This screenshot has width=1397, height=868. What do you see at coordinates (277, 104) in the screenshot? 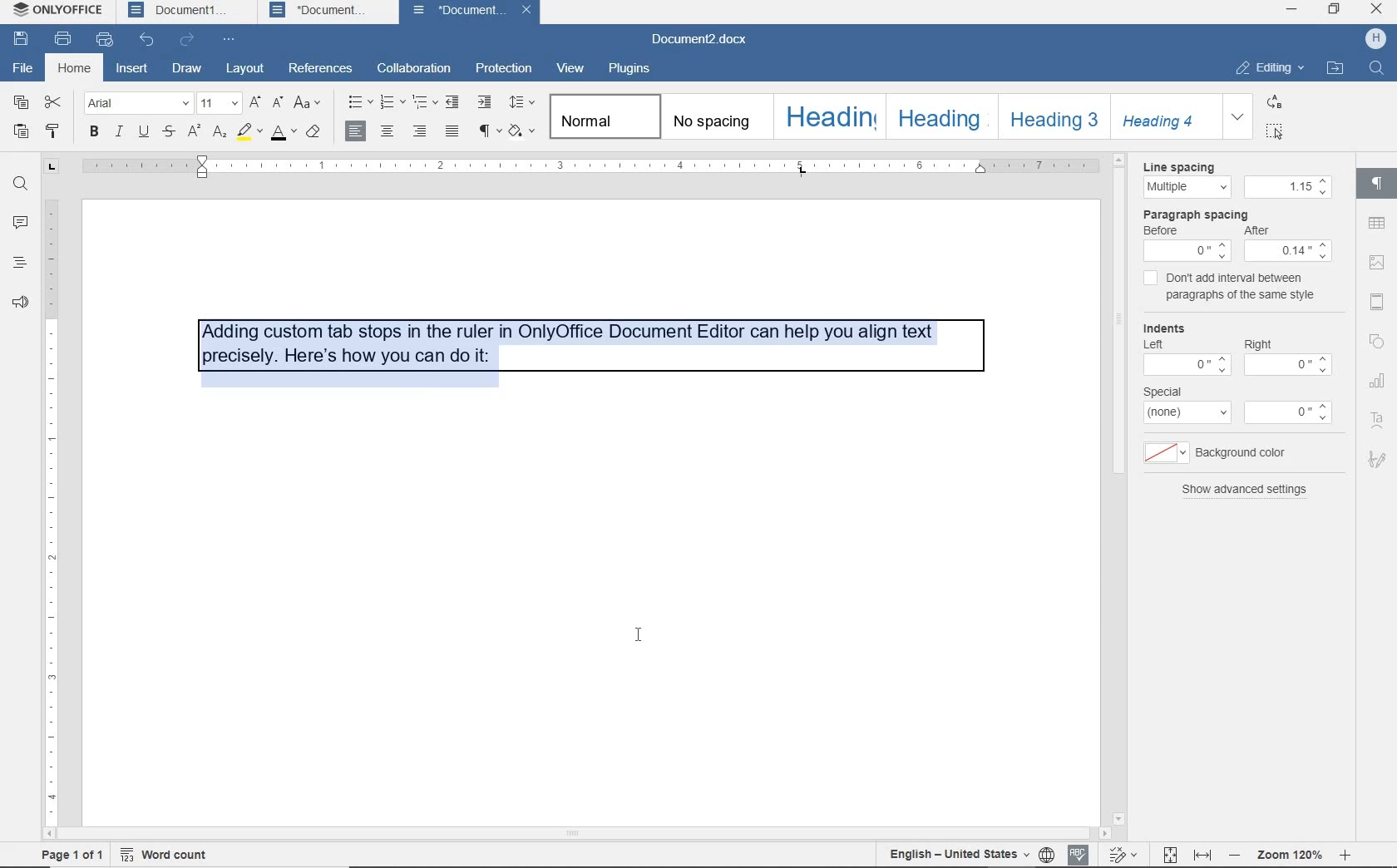
I see `decrement font size` at bounding box center [277, 104].